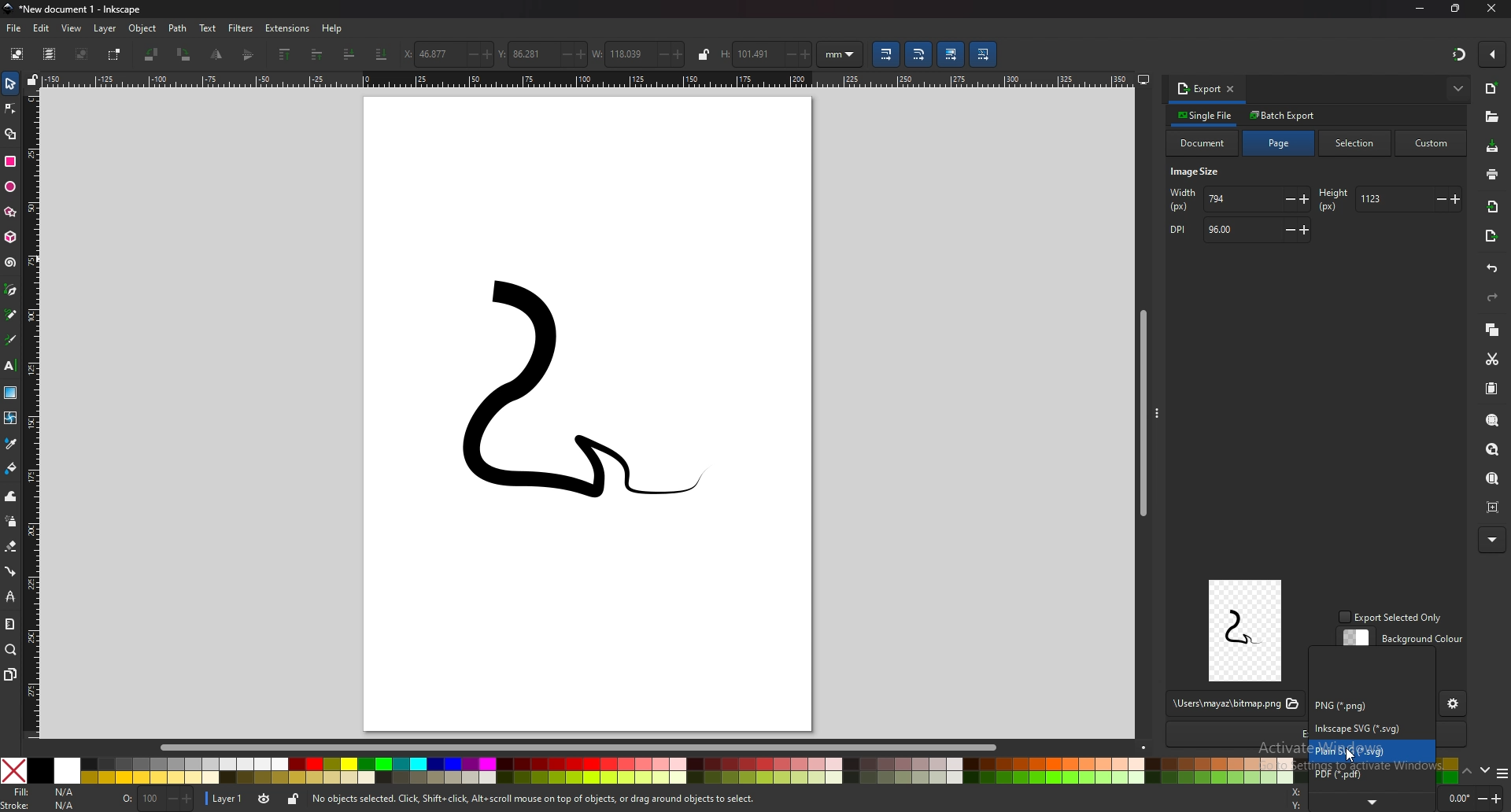  I want to click on eraser, so click(11, 547).